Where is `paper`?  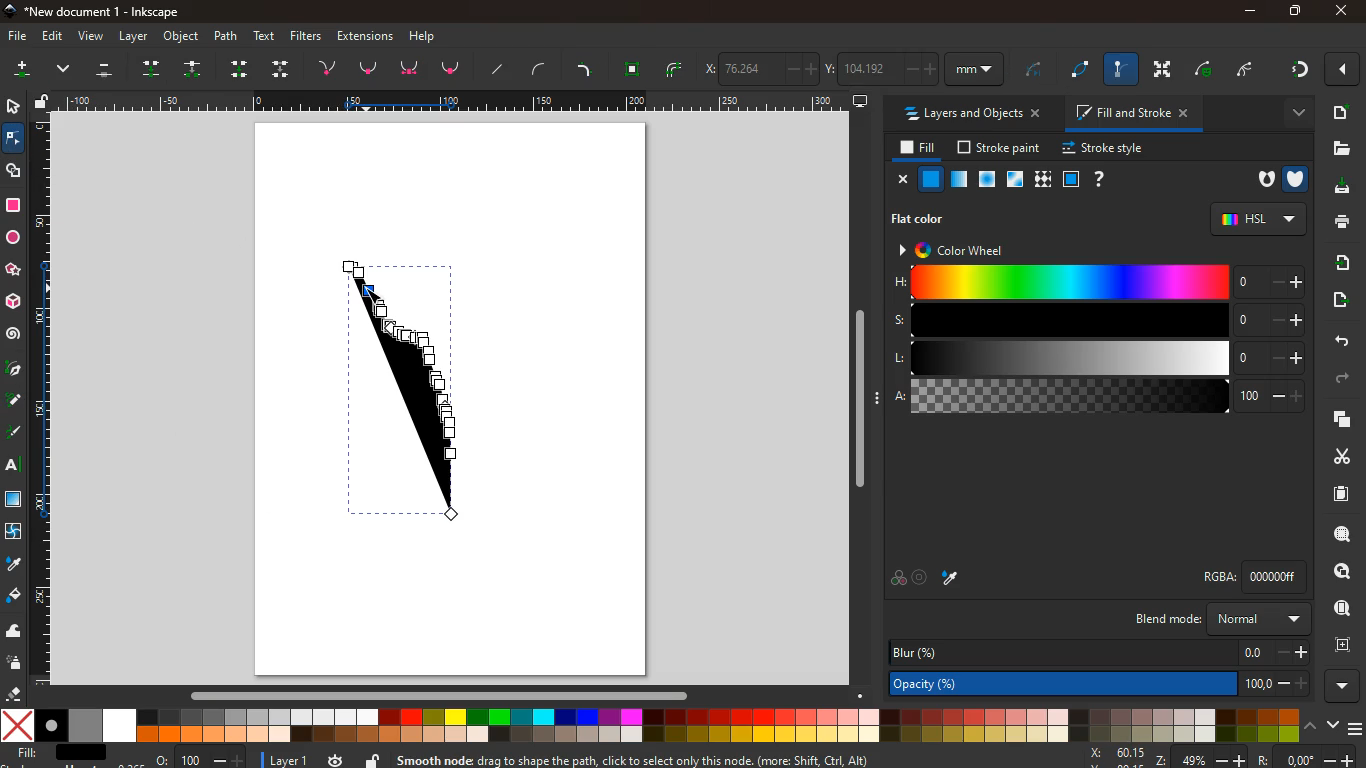
paper is located at coordinates (1339, 493).